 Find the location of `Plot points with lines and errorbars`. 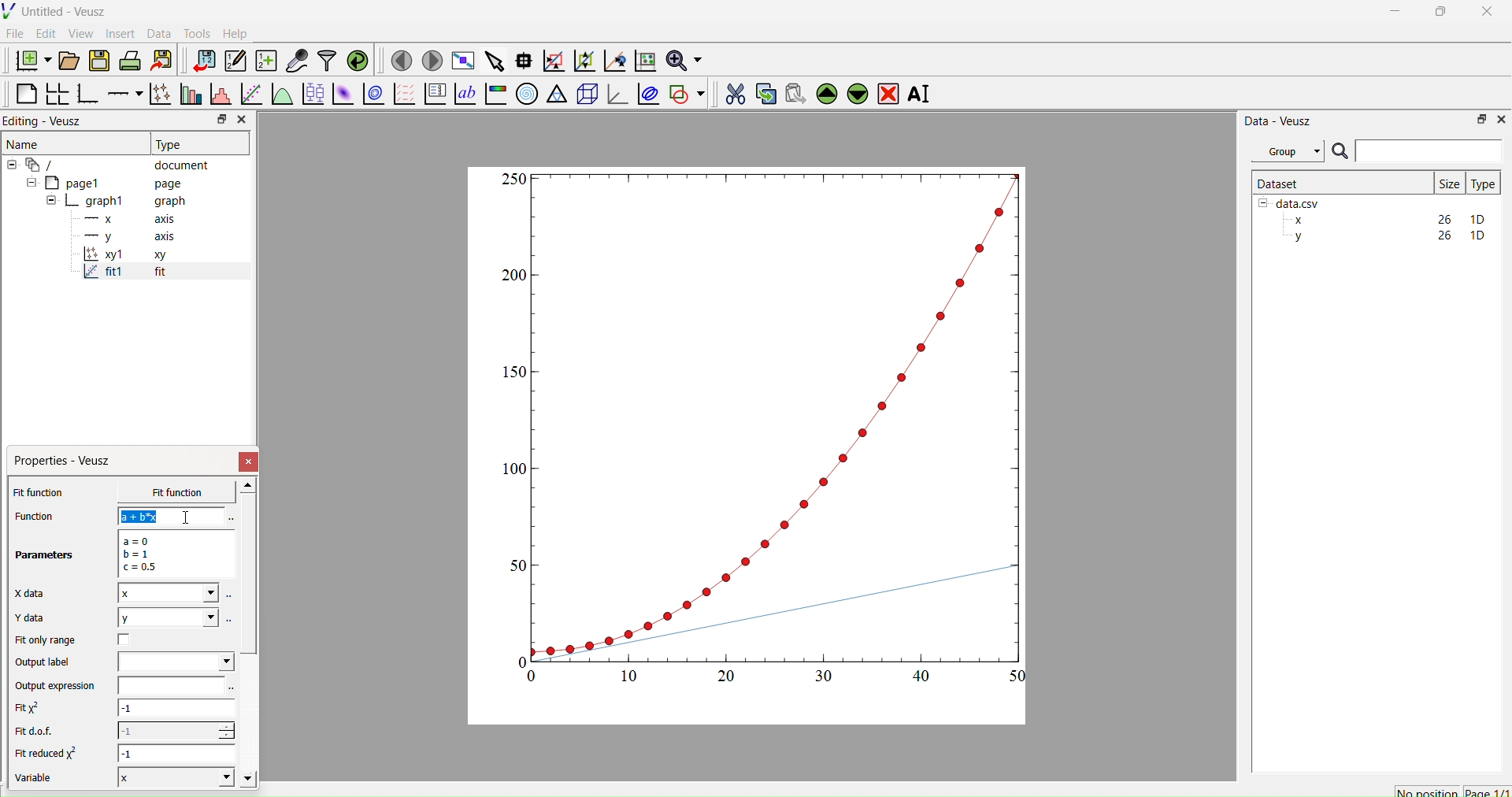

Plot points with lines and errorbars is located at coordinates (158, 94).